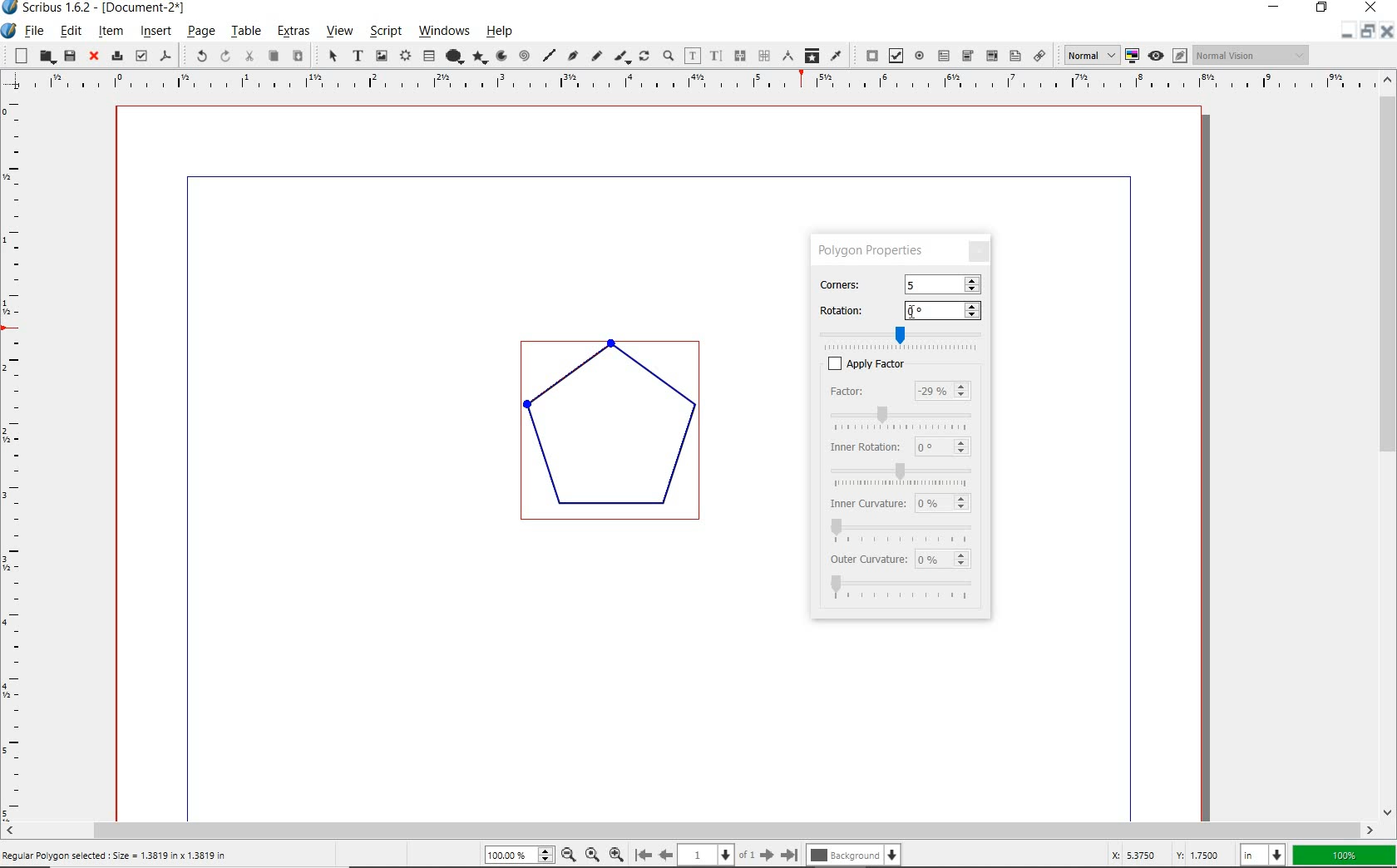  Describe the element at coordinates (1341, 854) in the screenshot. I see `100%` at that location.